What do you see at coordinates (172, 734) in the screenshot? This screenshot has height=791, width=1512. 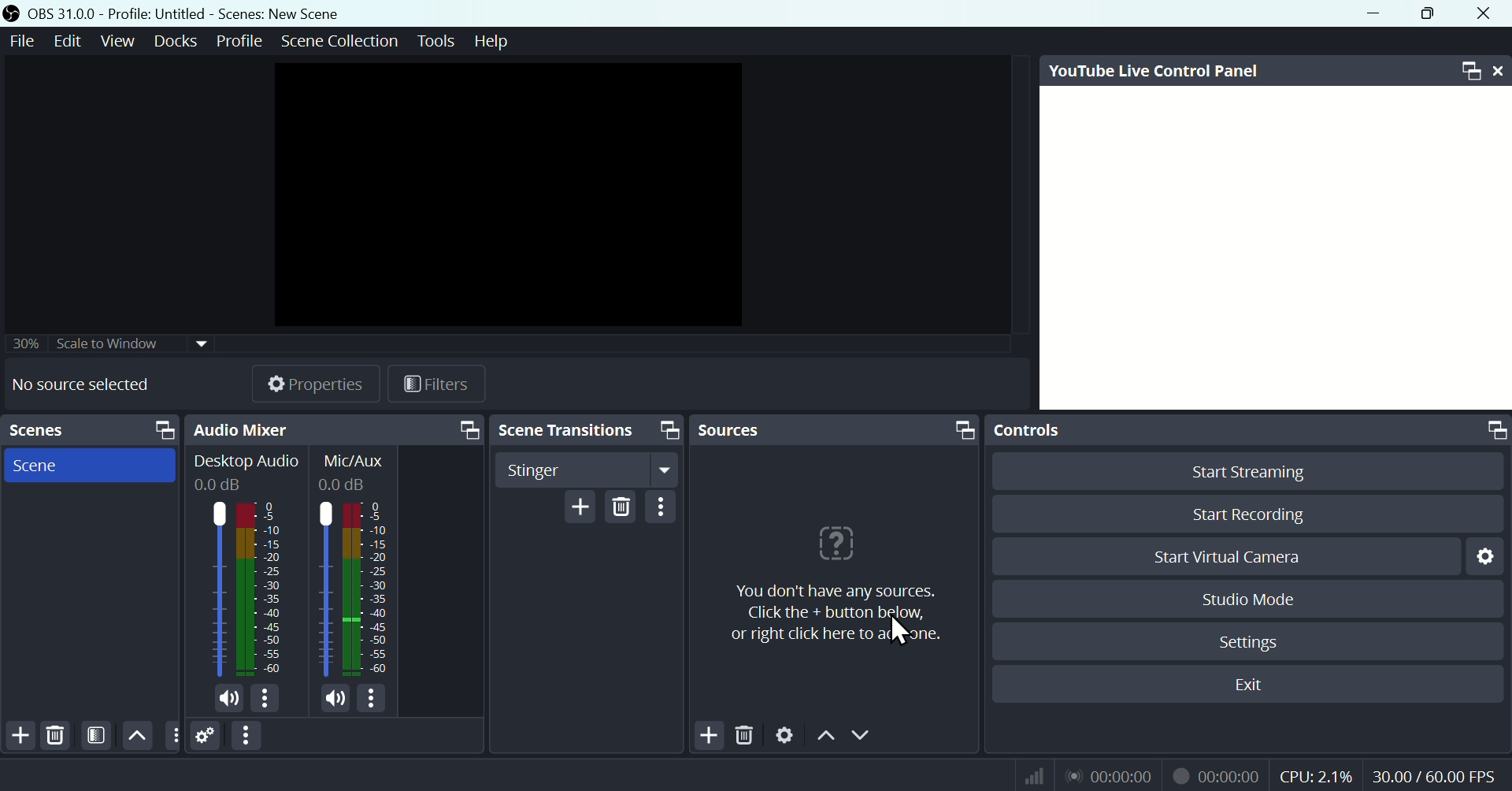 I see `options` at bounding box center [172, 734].